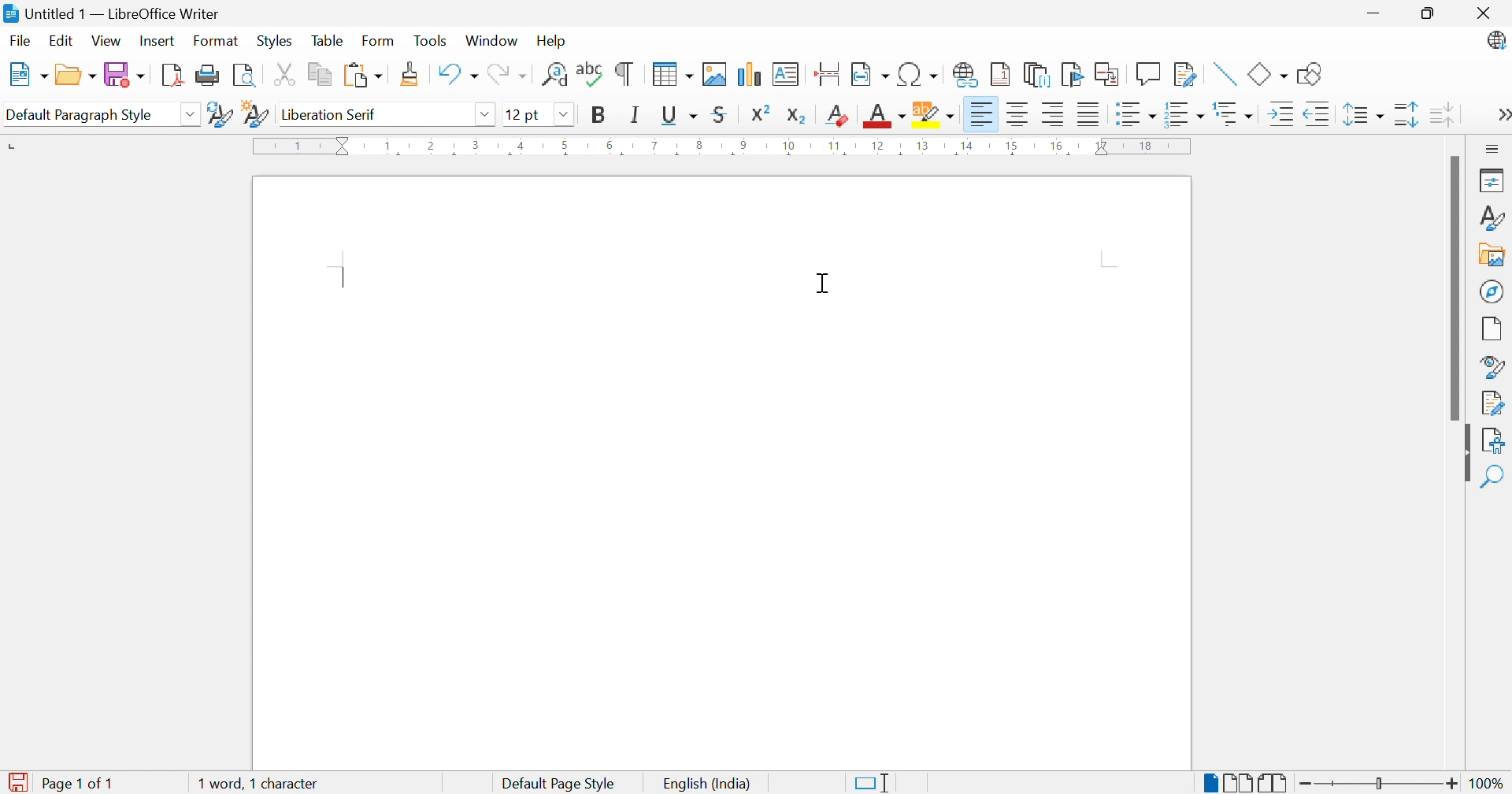  I want to click on Accessibility Check, so click(1496, 440).